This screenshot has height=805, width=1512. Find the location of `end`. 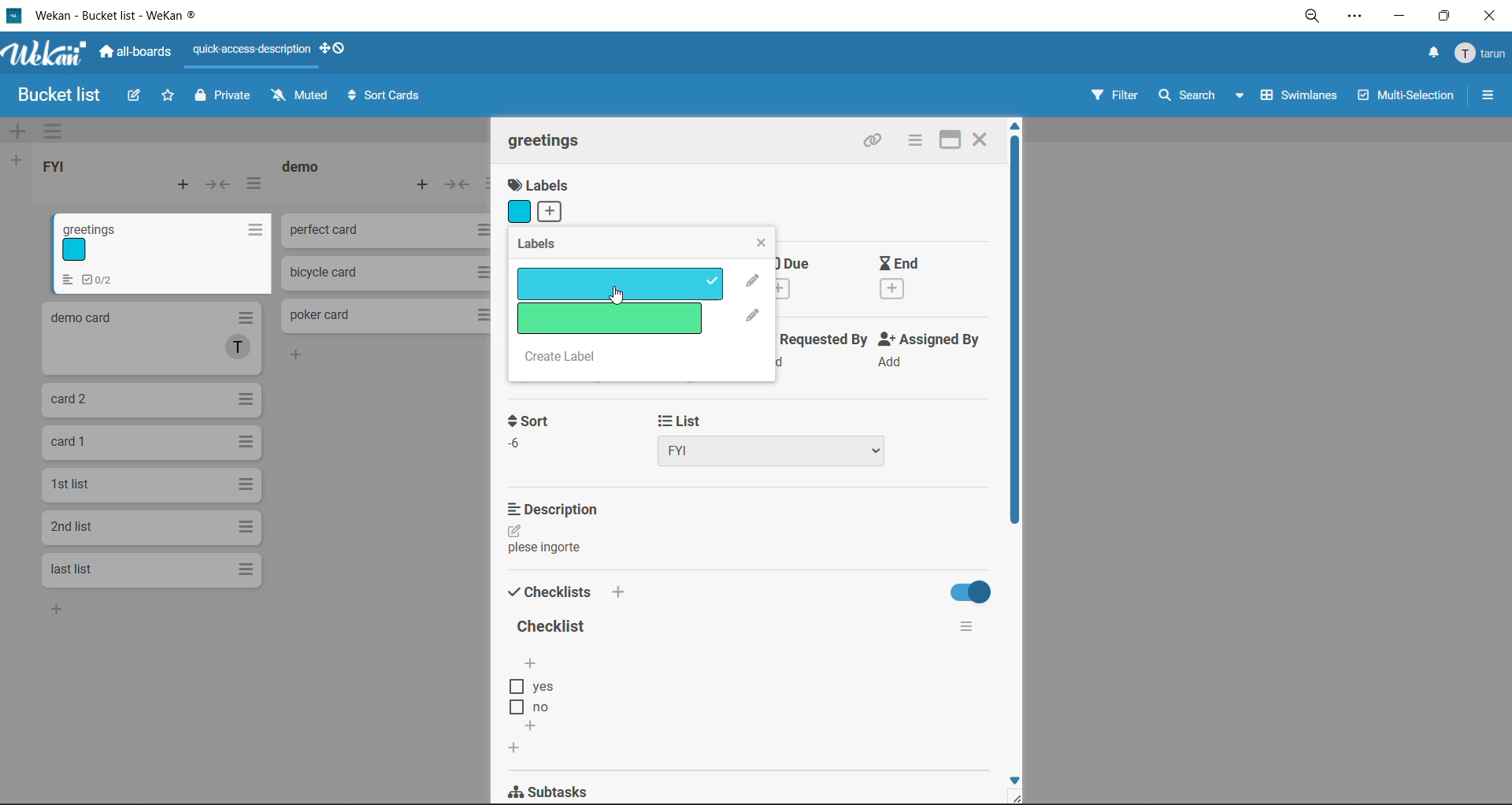

end is located at coordinates (917, 280).